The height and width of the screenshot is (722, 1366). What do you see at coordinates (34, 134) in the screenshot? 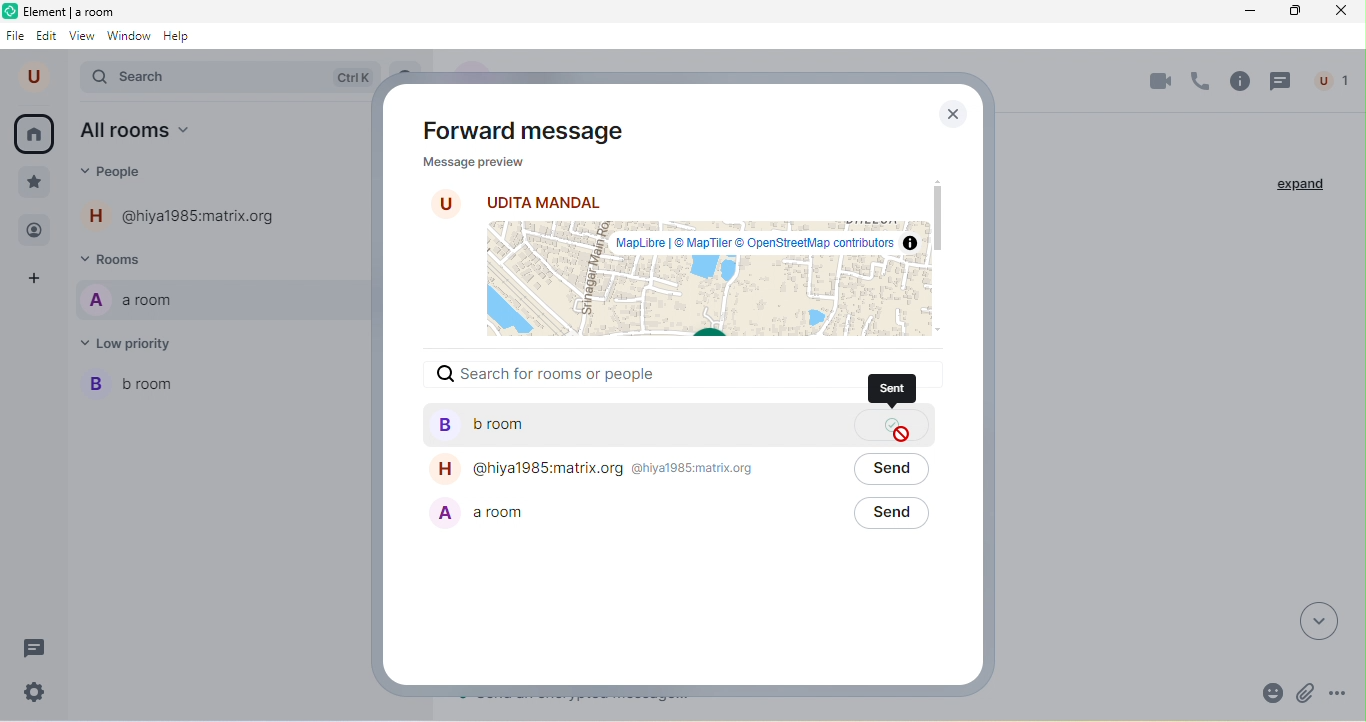
I see `home` at bounding box center [34, 134].